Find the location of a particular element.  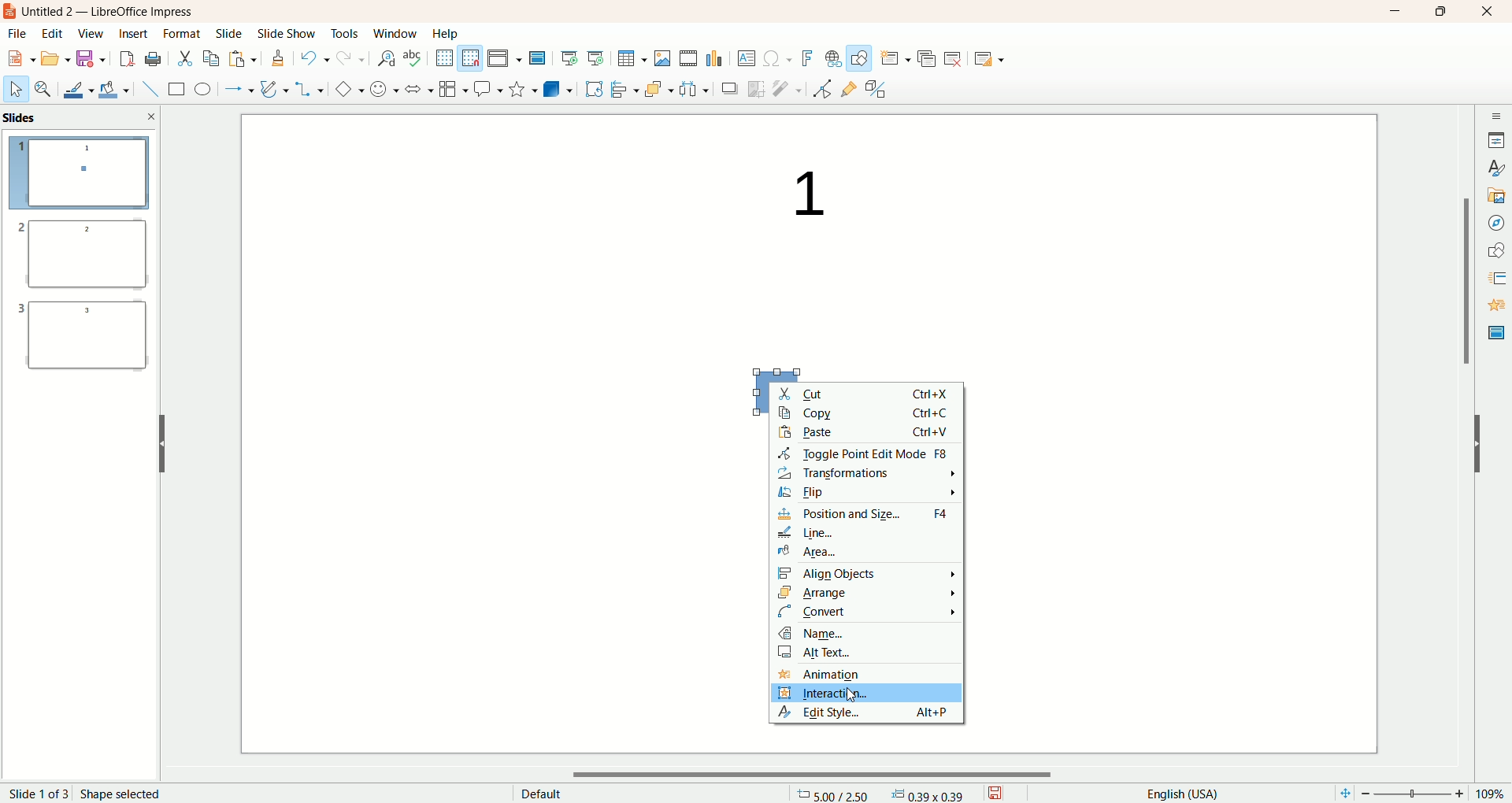

master slide is located at coordinates (539, 58).